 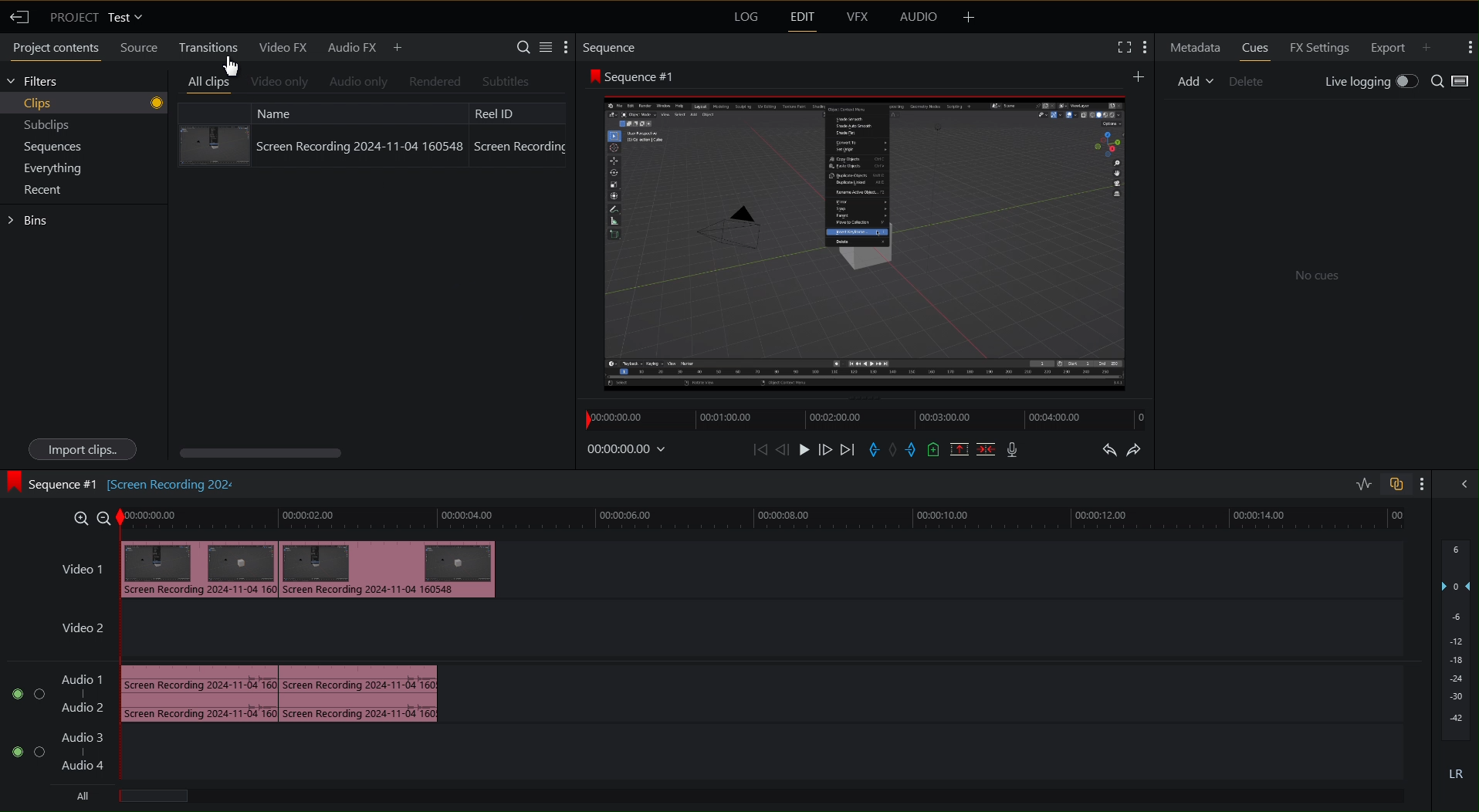 What do you see at coordinates (856, 20) in the screenshot?
I see `VFX` at bounding box center [856, 20].